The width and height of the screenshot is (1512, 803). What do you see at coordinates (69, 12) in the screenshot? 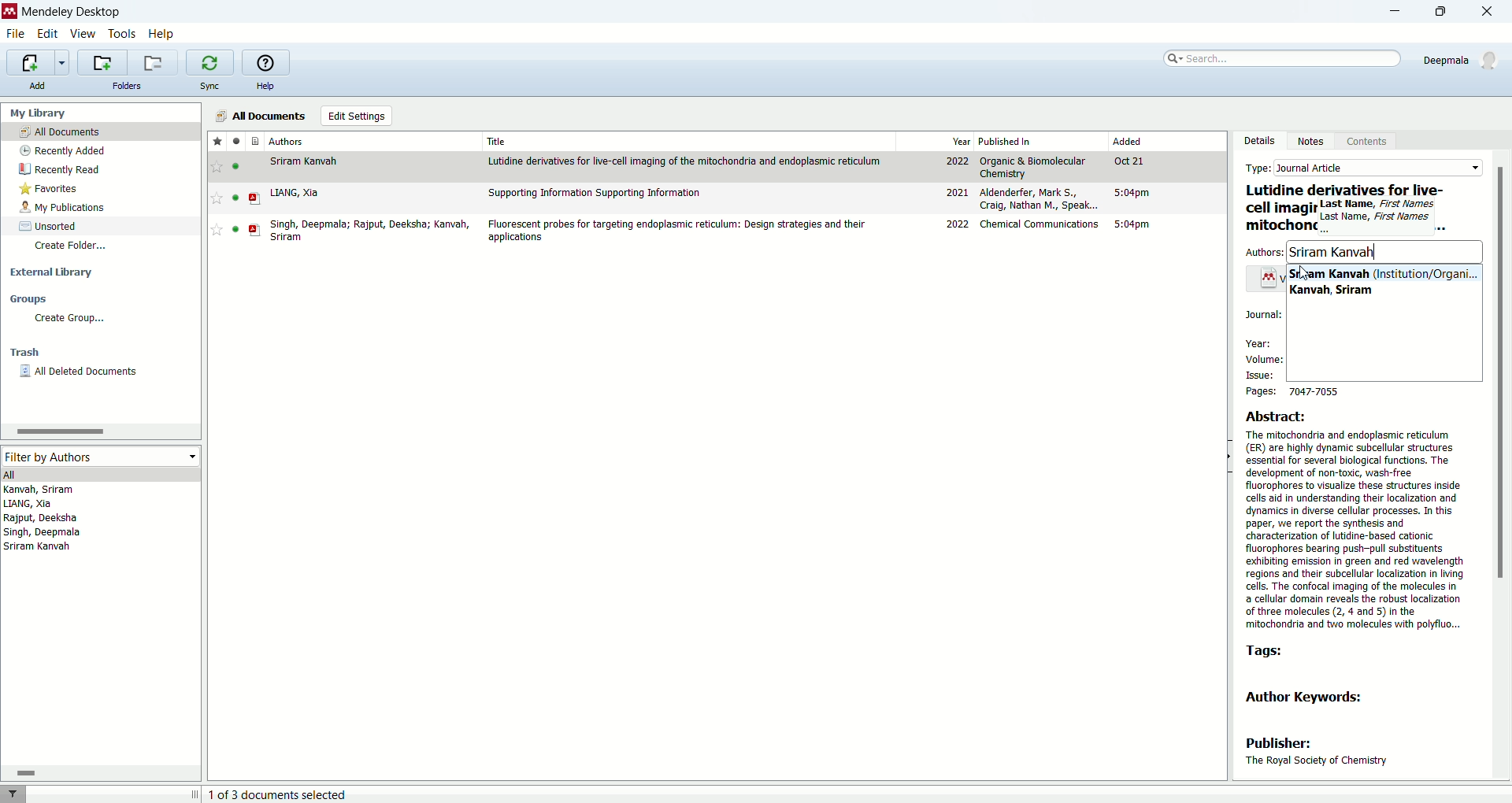
I see `mendeley desktop` at bounding box center [69, 12].